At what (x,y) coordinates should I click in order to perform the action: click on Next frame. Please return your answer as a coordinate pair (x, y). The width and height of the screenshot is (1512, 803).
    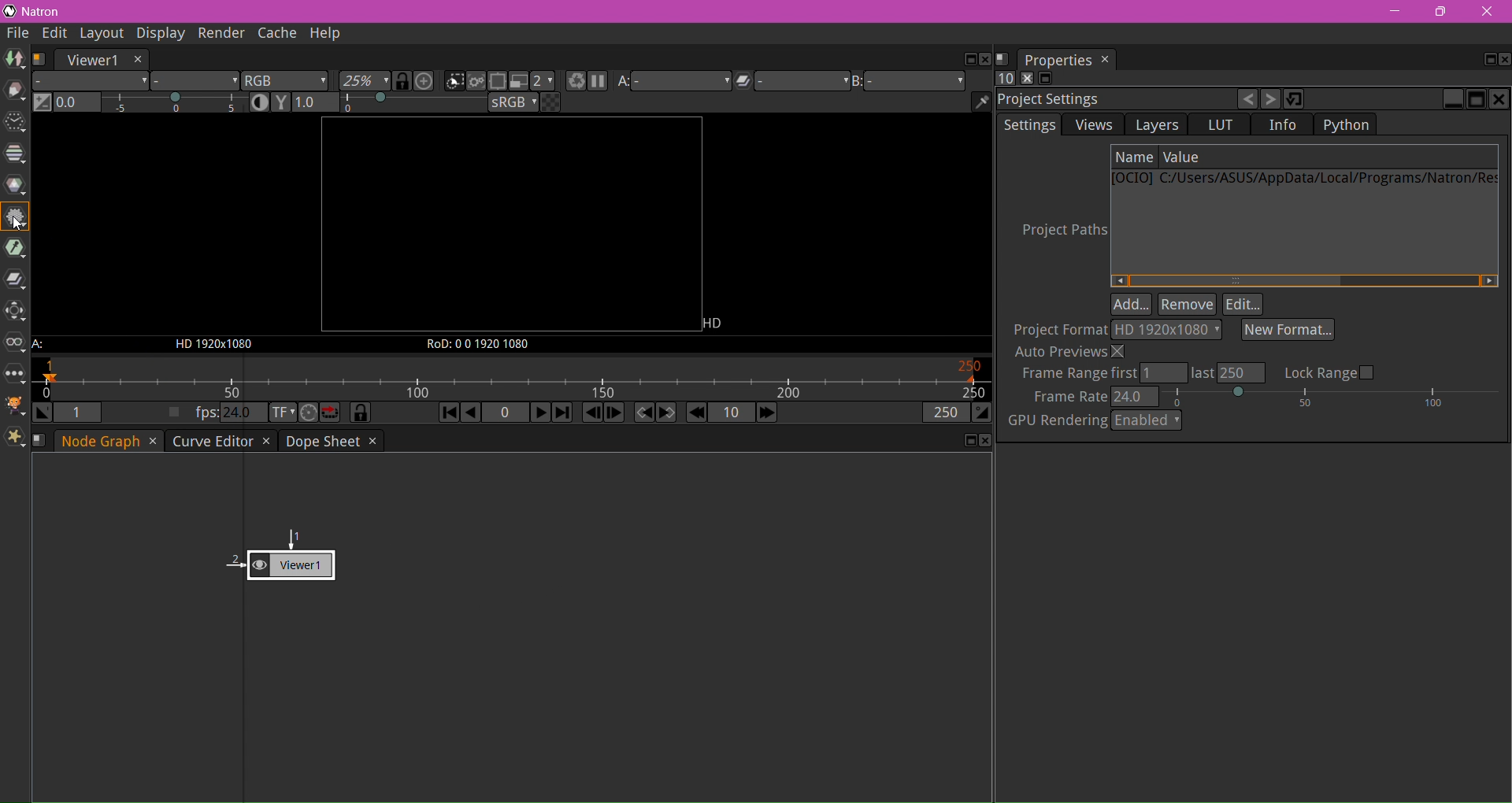
    Looking at the image, I should click on (613, 413).